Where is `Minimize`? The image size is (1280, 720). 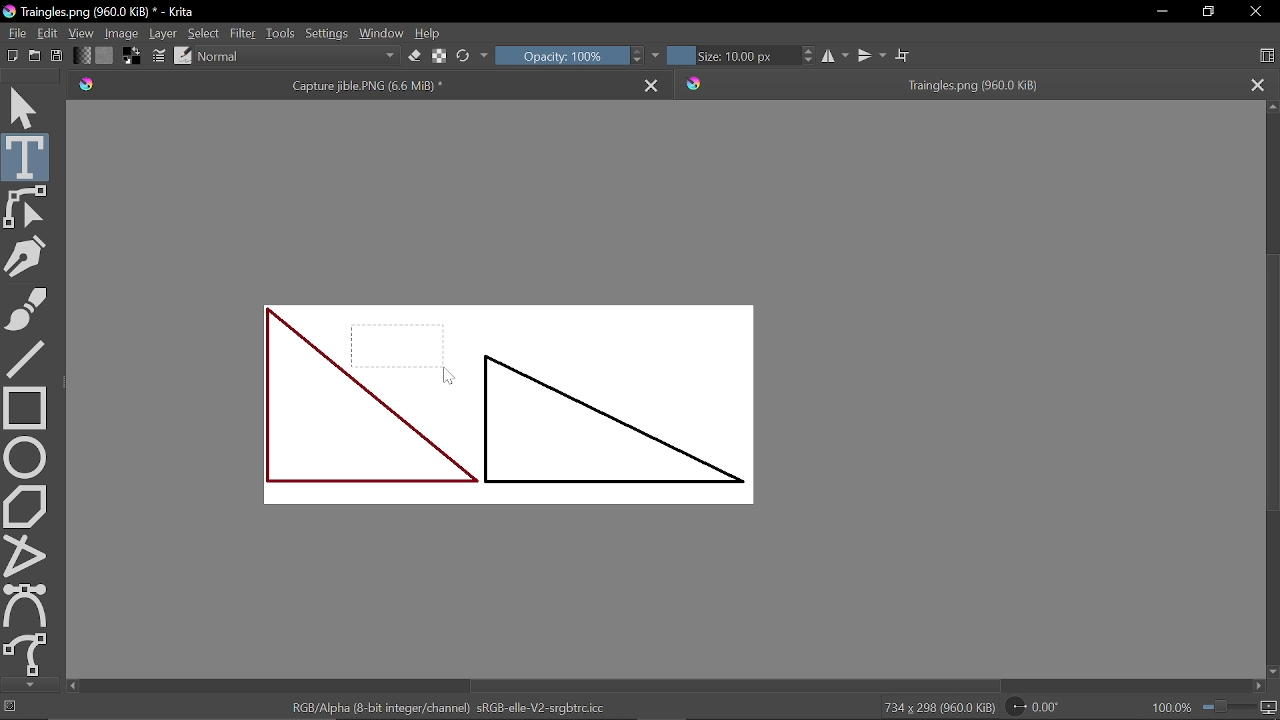
Minimize is located at coordinates (1160, 12).